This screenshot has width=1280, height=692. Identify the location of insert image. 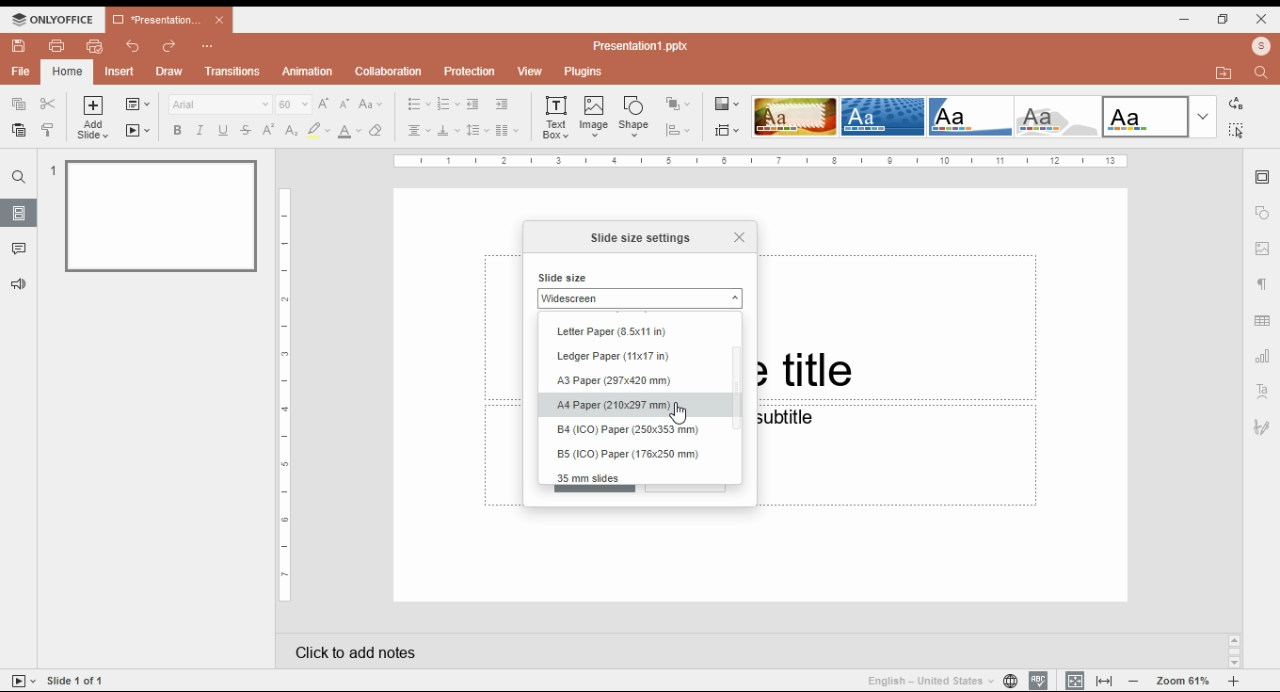
(595, 116).